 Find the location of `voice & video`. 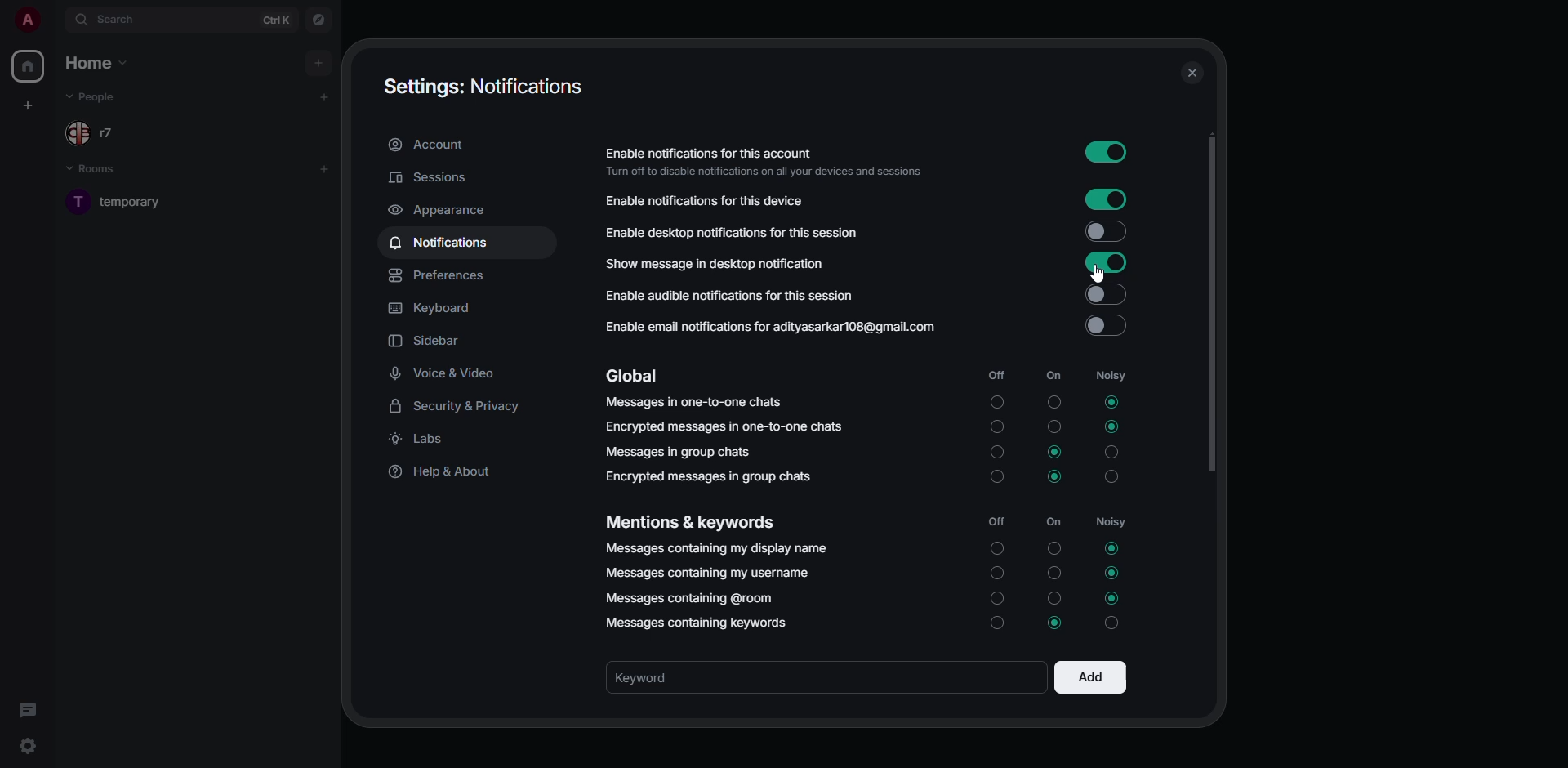

voice & video is located at coordinates (446, 371).